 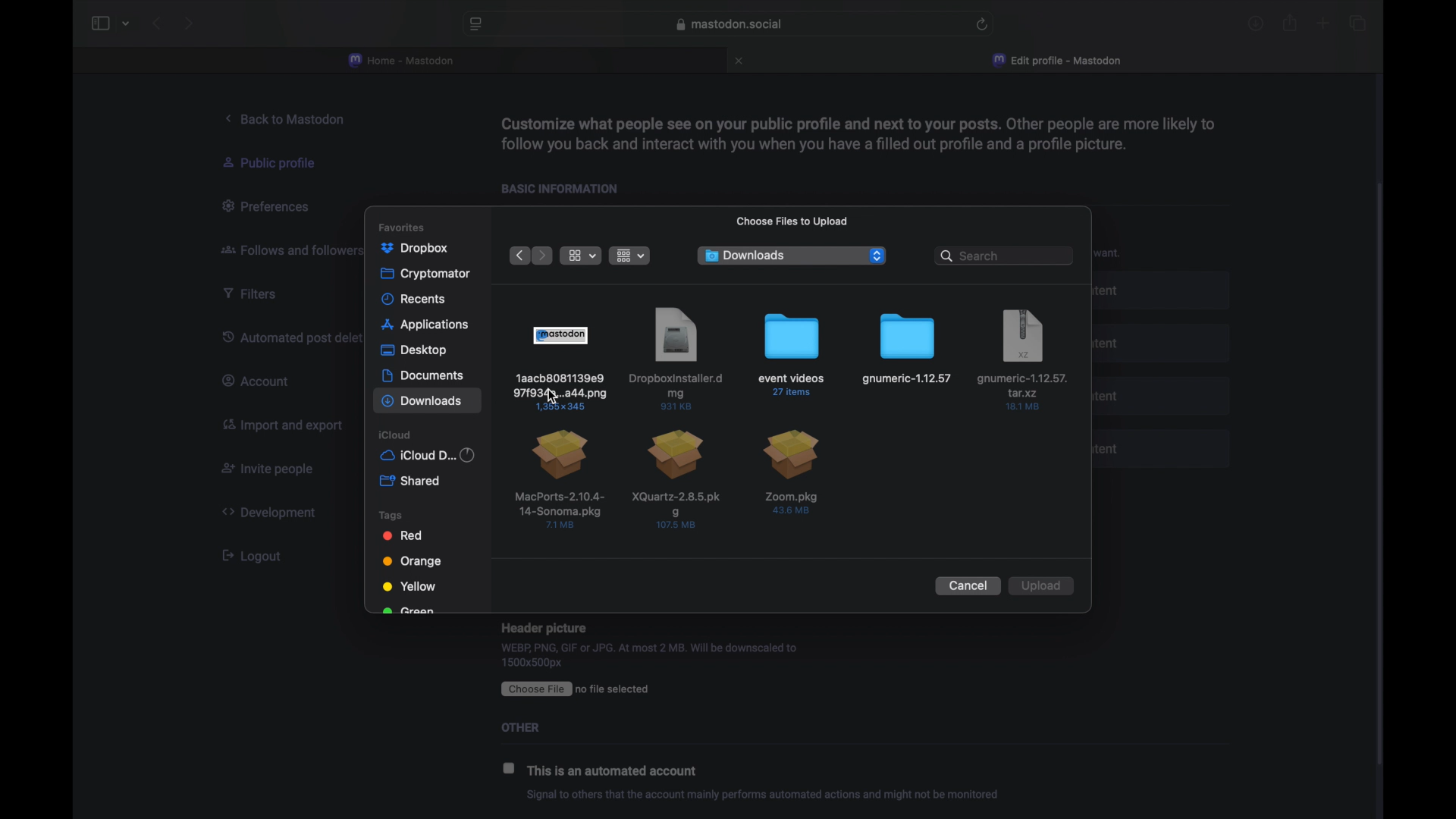 I want to click on downloads highlighted, so click(x=428, y=400).